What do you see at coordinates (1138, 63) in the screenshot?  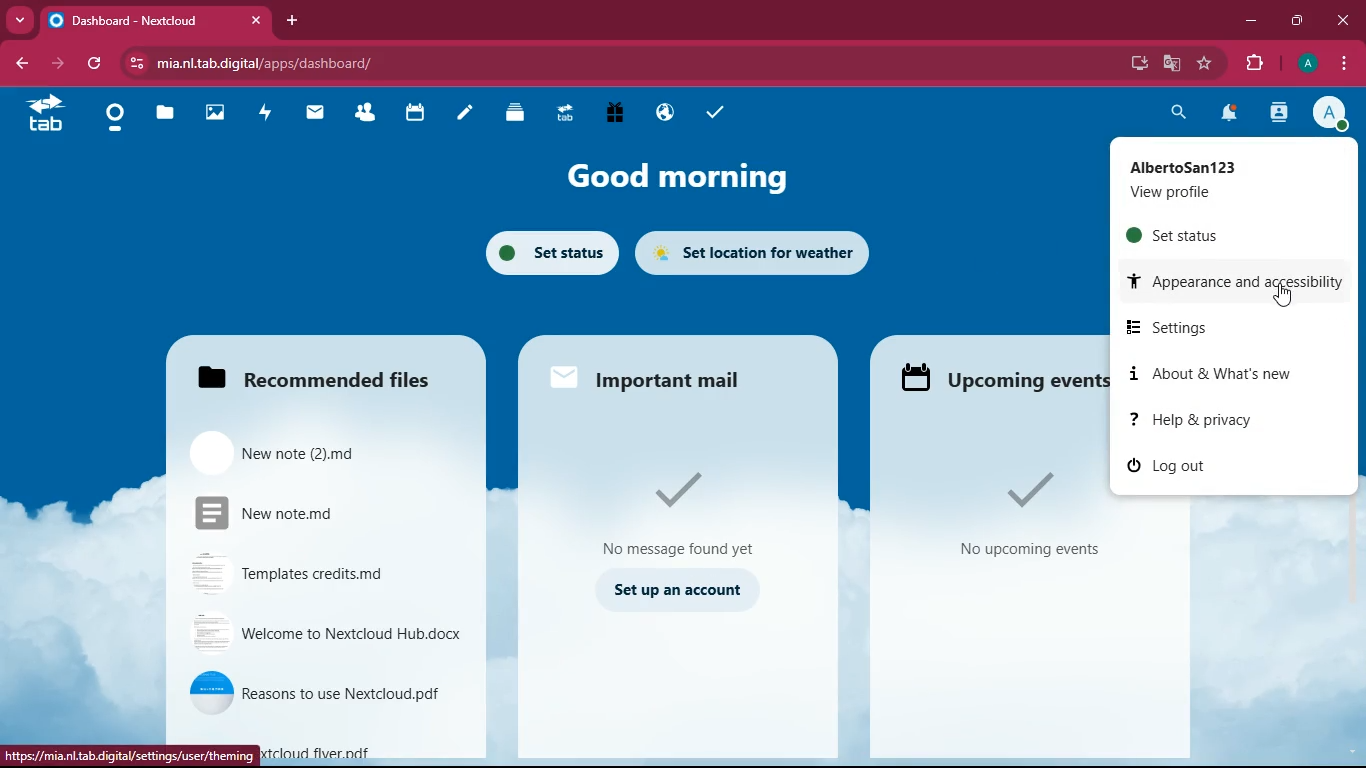 I see `desktop` at bounding box center [1138, 63].